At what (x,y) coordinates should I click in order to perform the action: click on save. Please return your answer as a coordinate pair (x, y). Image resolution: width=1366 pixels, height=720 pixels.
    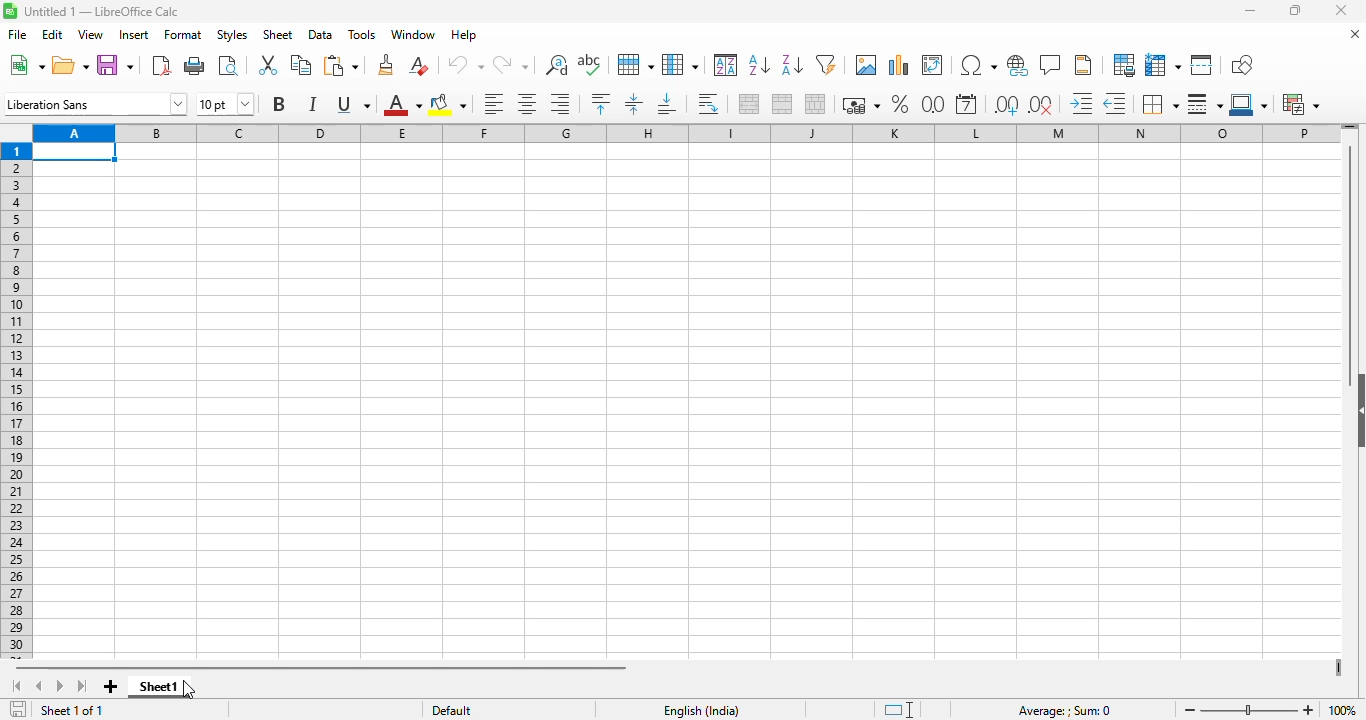
    Looking at the image, I should click on (117, 66).